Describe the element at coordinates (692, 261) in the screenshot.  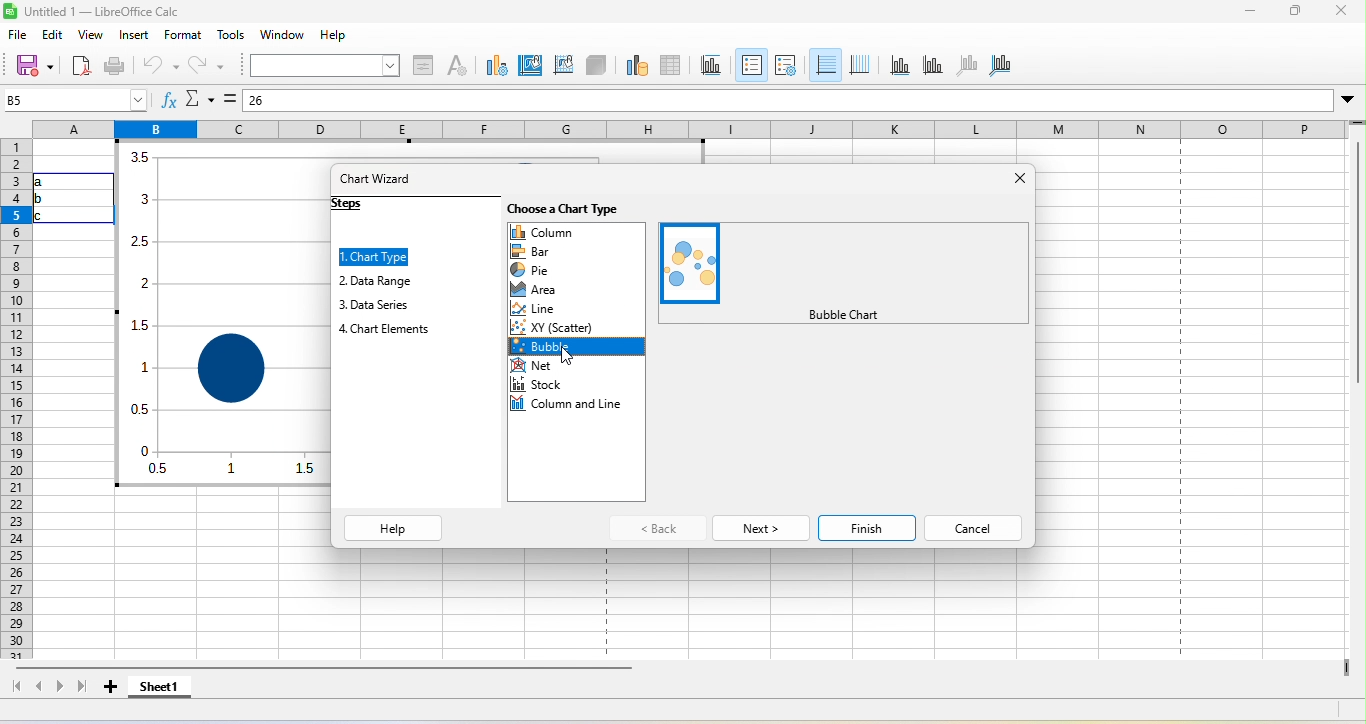
I see `bubble chart` at that location.